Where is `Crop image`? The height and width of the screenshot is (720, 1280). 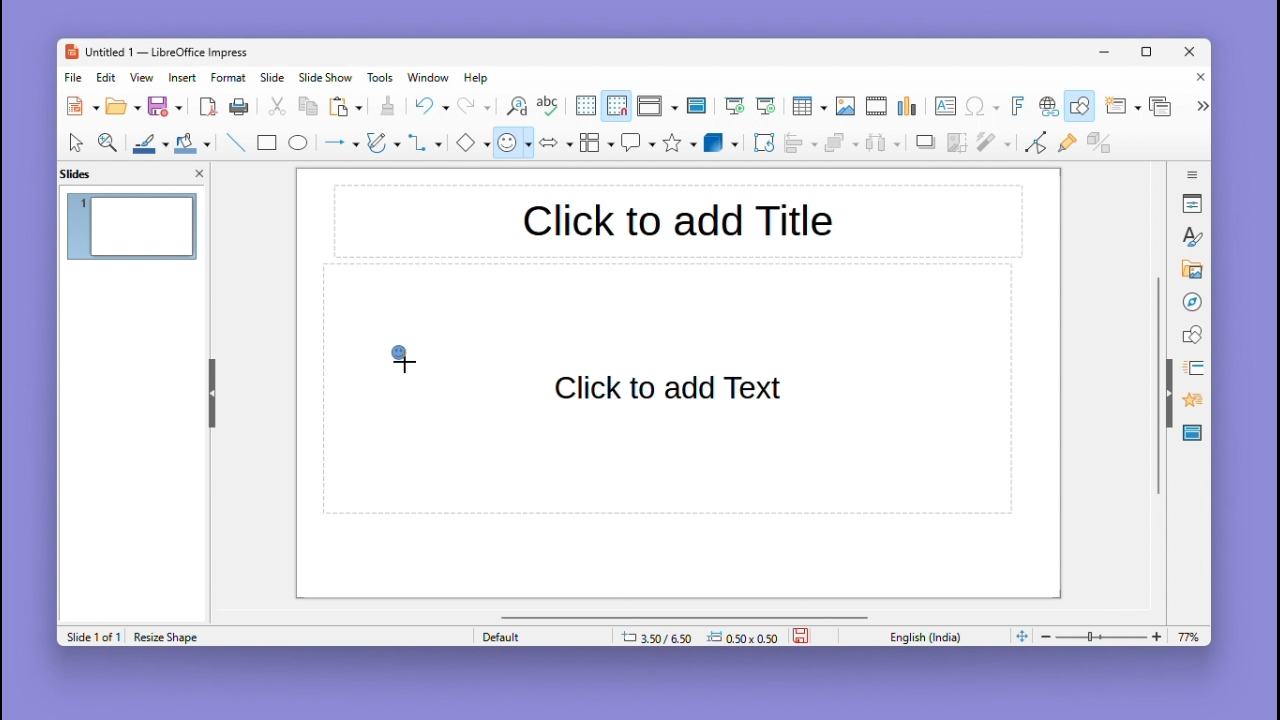 Crop image is located at coordinates (958, 147).